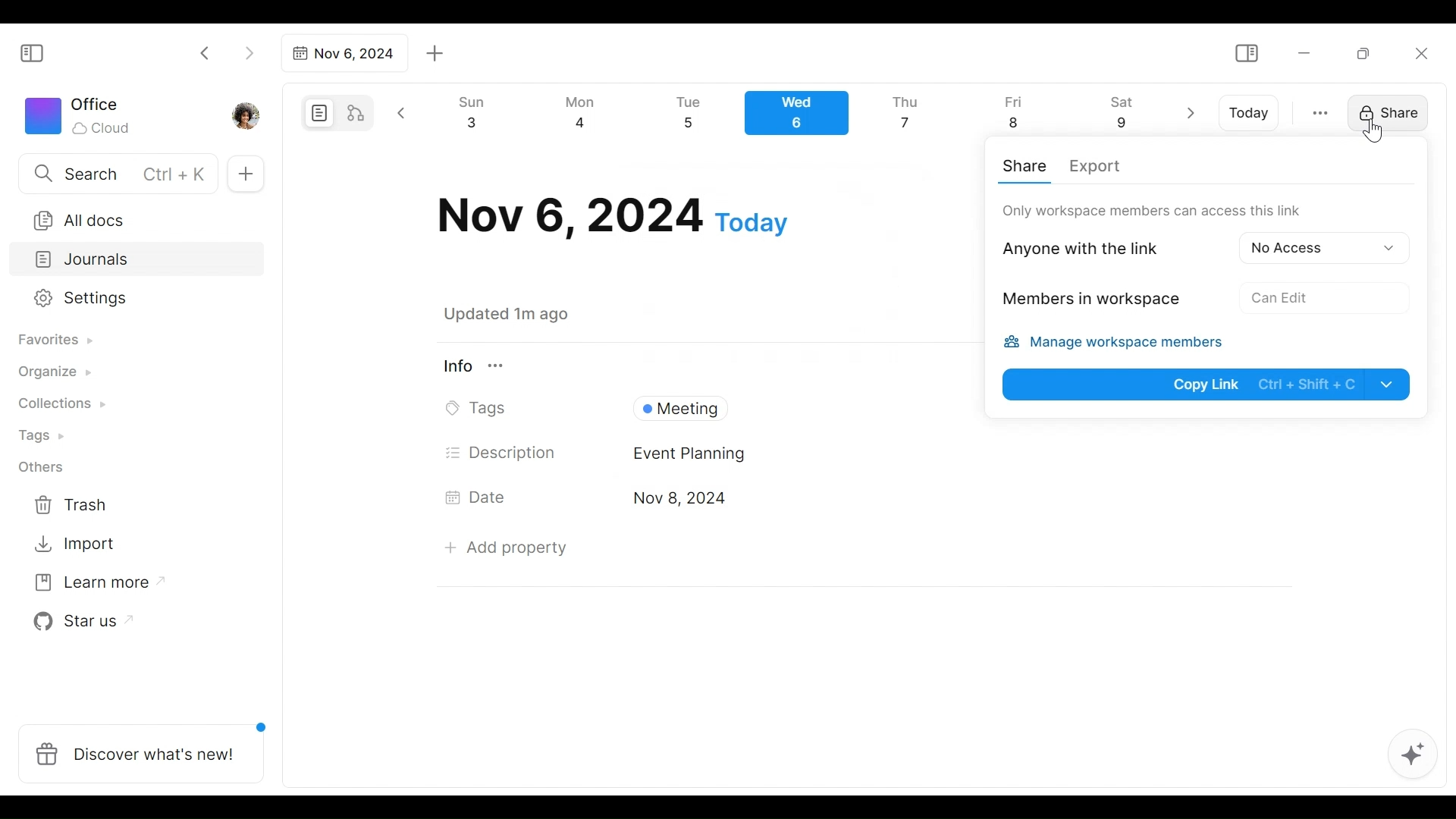 This screenshot has width=1456, height=819. What do you see at coordinates (116, 173) in the screenshot?
I see `Search` at bounding box center [116, 173].